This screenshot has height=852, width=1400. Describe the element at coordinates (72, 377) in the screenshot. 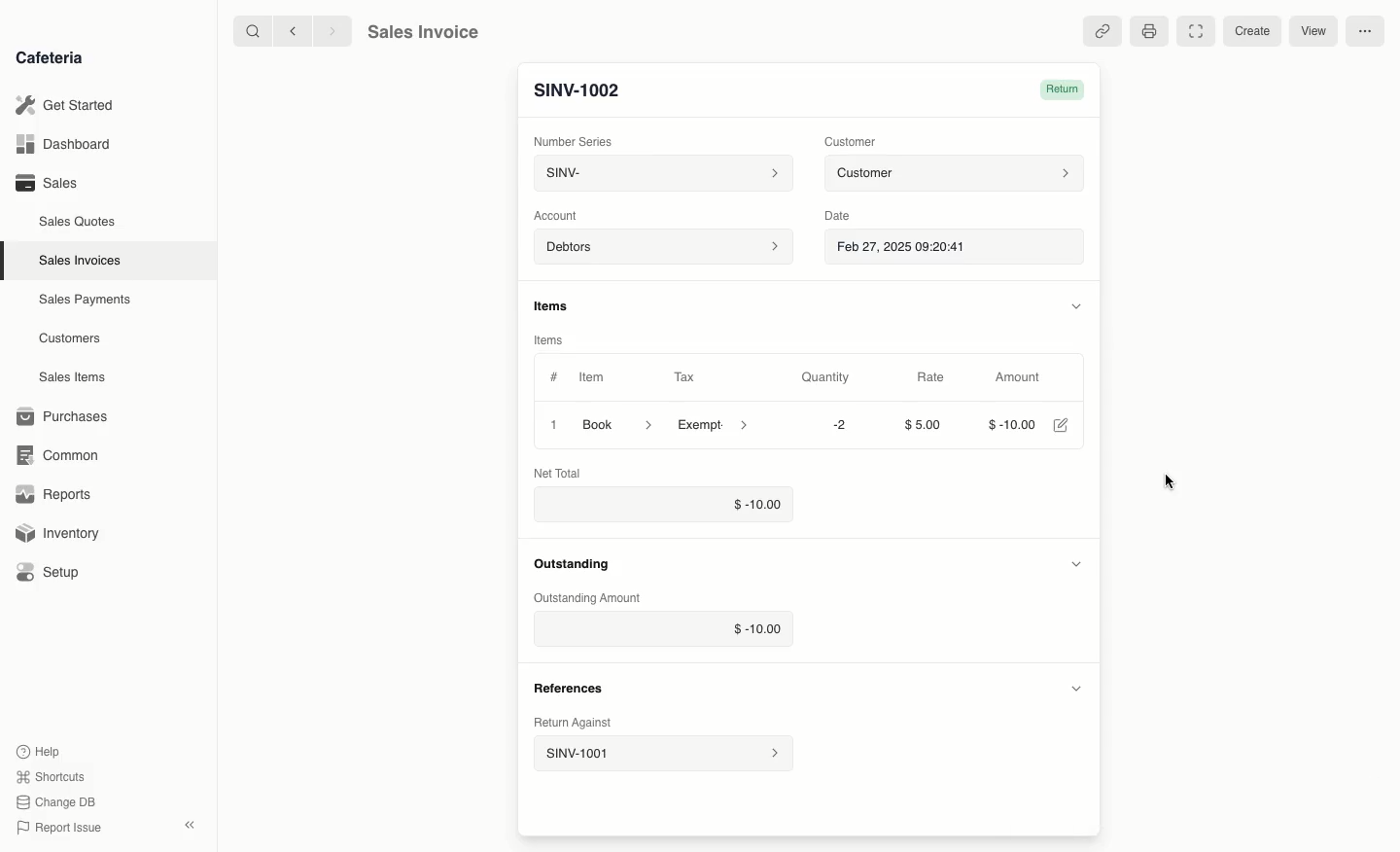

I see `Sales Items` at that location.